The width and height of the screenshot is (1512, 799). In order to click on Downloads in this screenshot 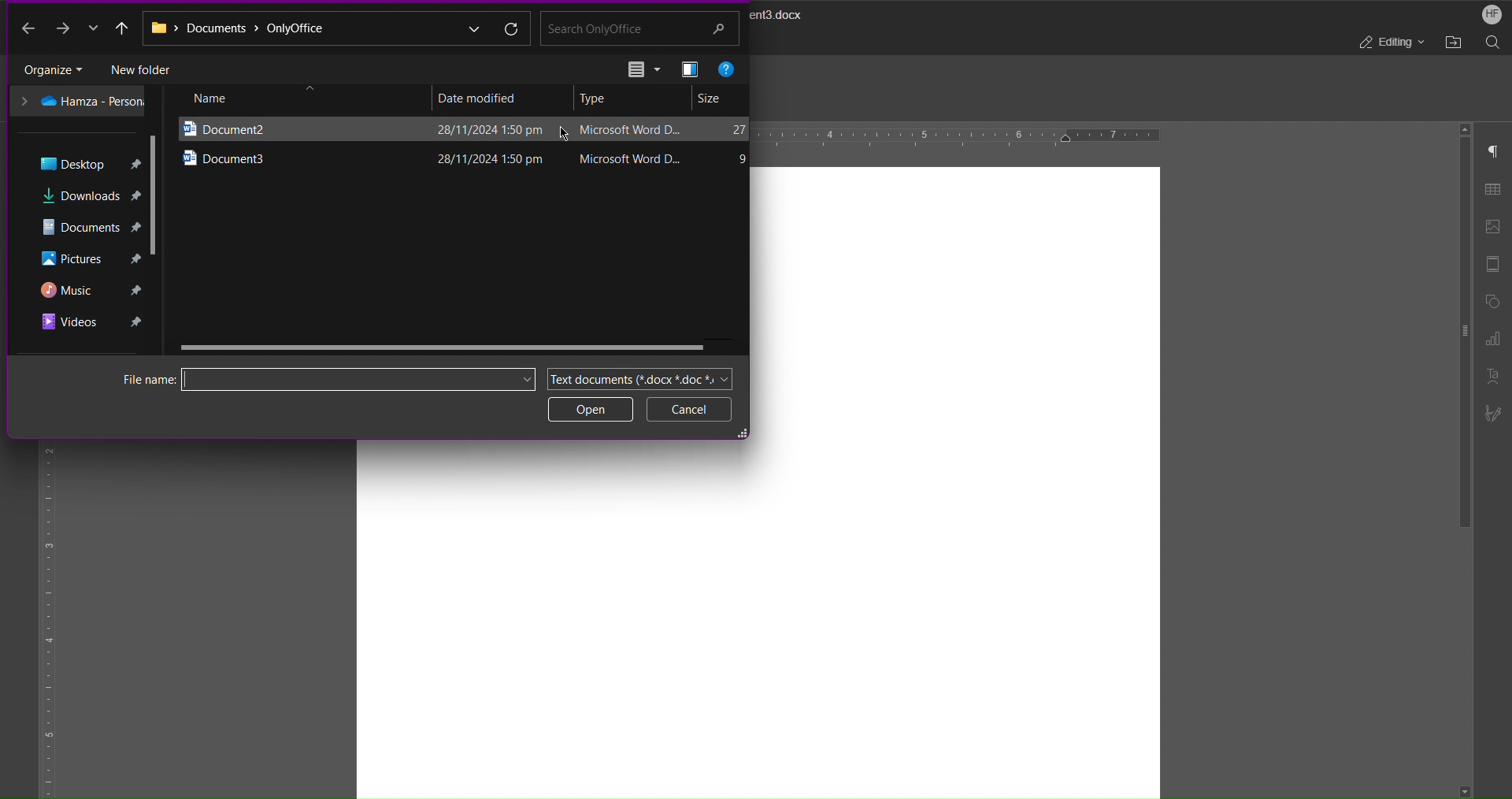, I will do `click(90, 192)`.